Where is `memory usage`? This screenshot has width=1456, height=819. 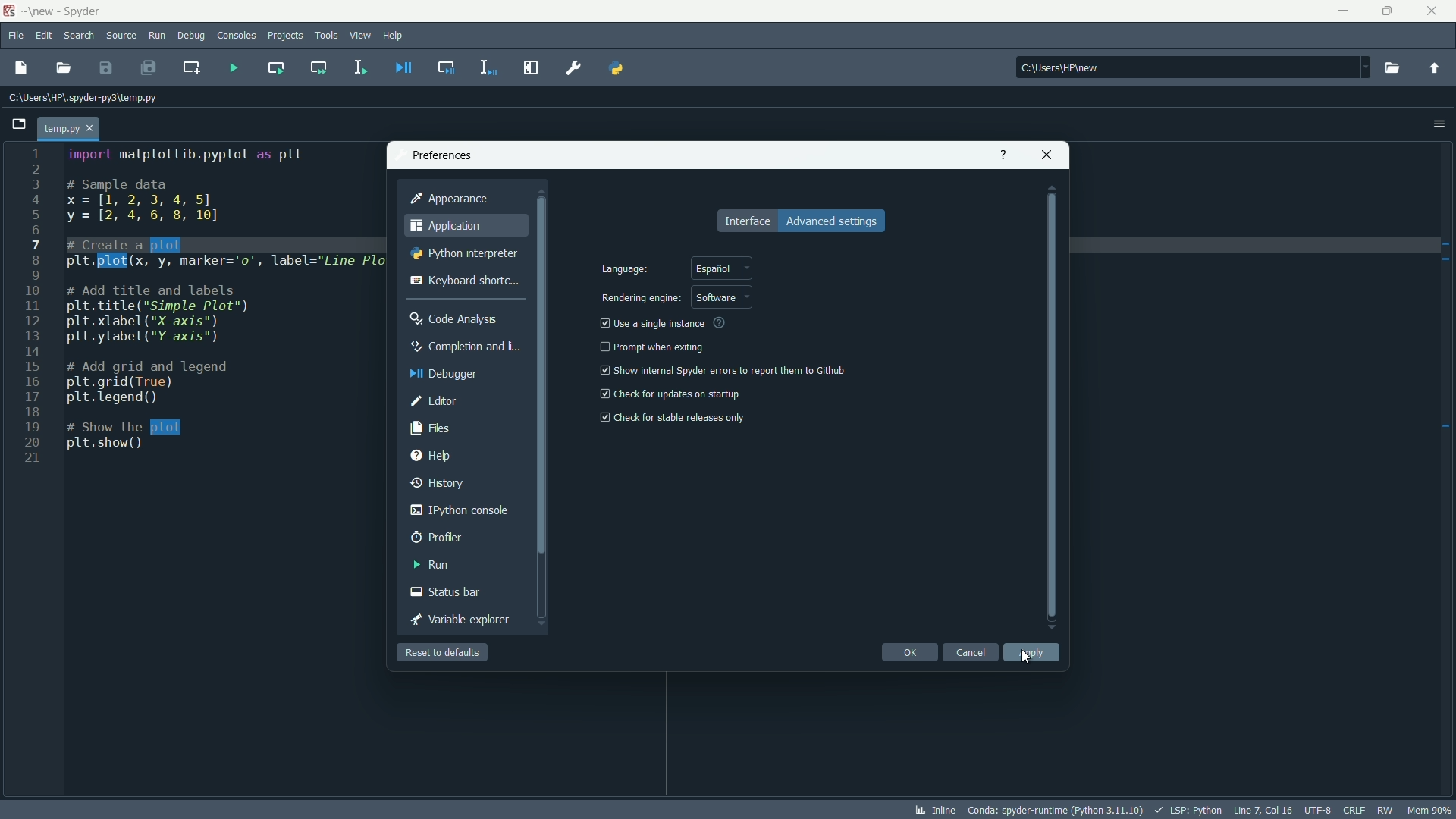
memory usage is located at coordinates (1429, 809).